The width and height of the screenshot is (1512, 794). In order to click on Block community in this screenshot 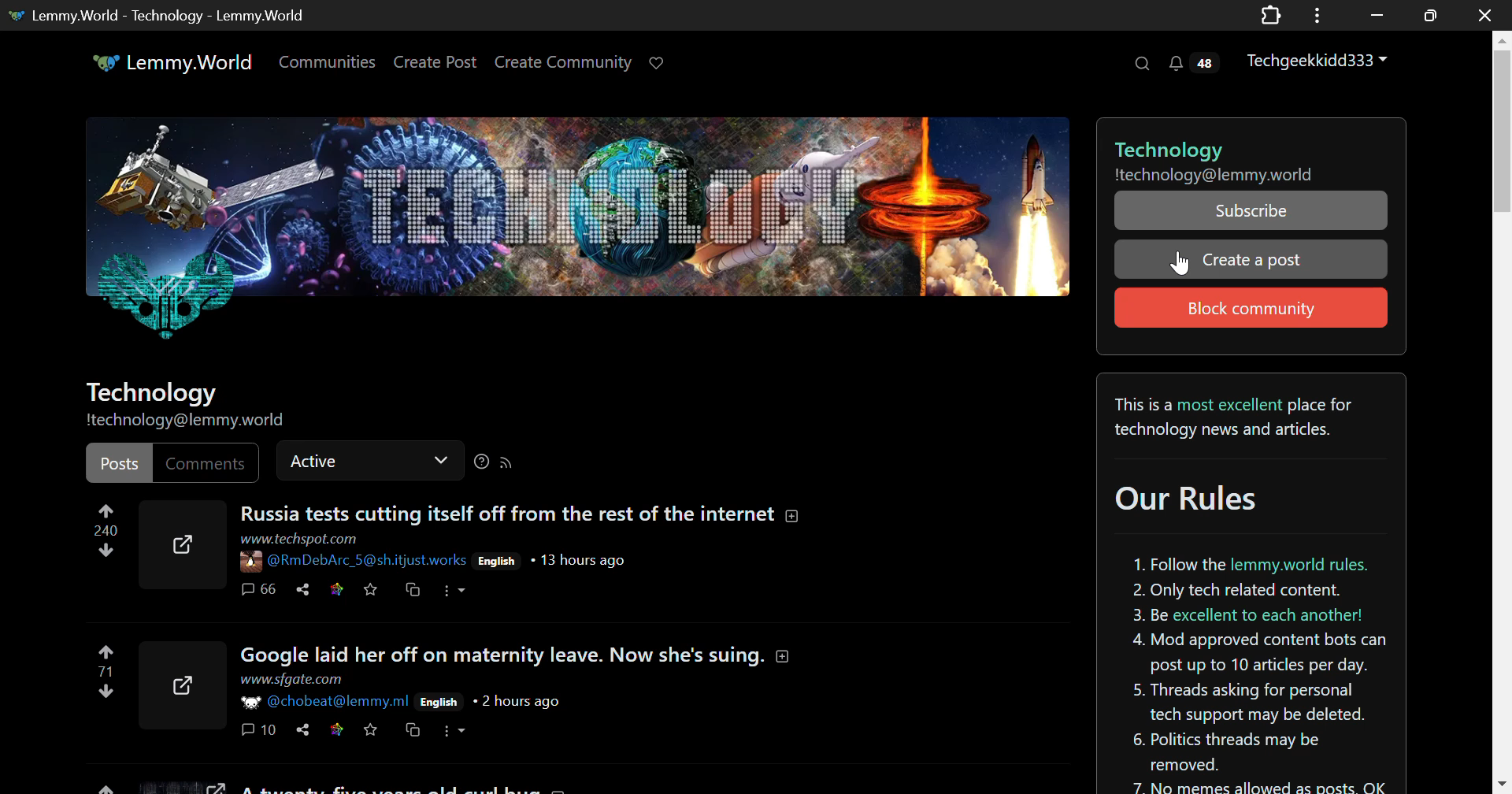, I will do `click(1249, 307)`.